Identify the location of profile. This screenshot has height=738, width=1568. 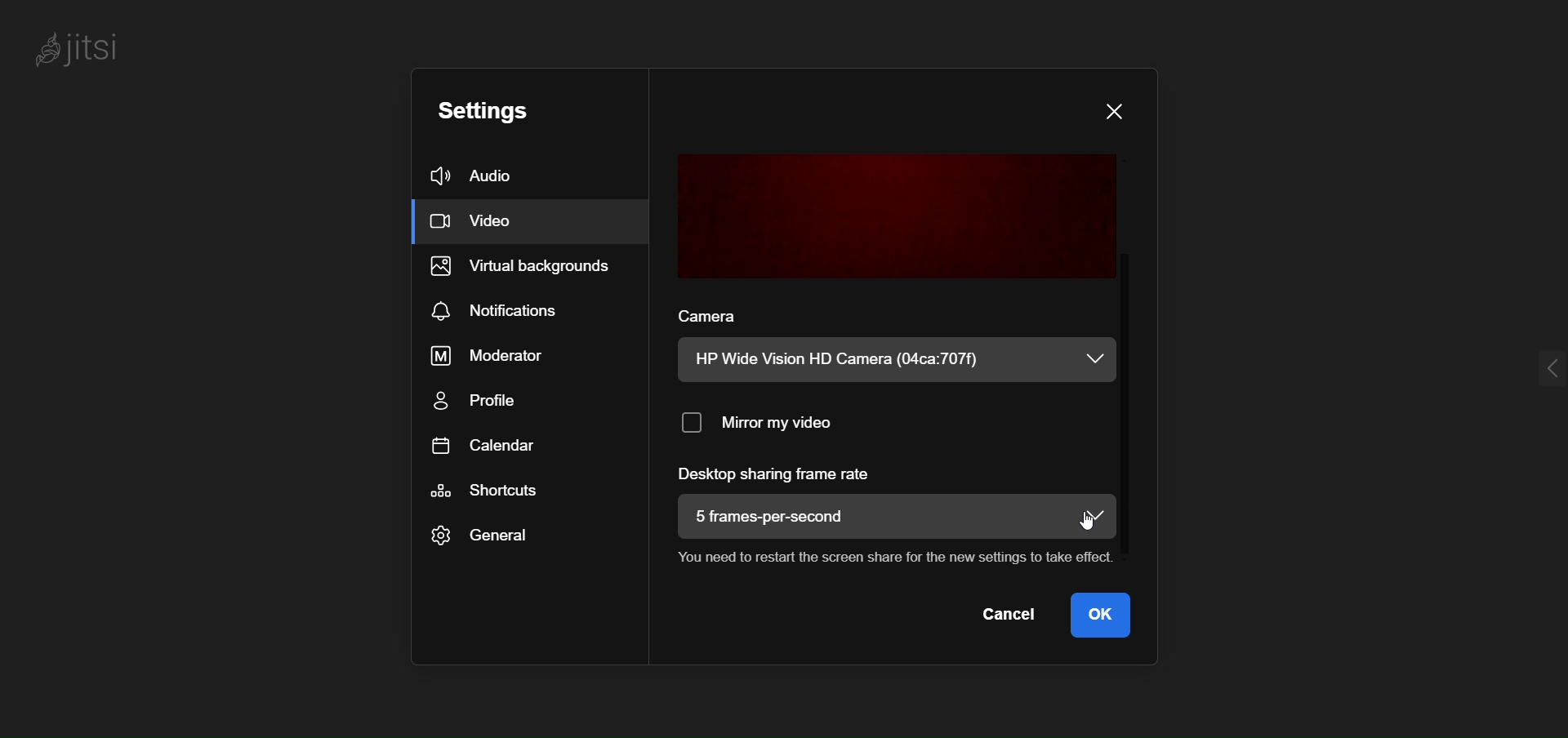
(487, 400).